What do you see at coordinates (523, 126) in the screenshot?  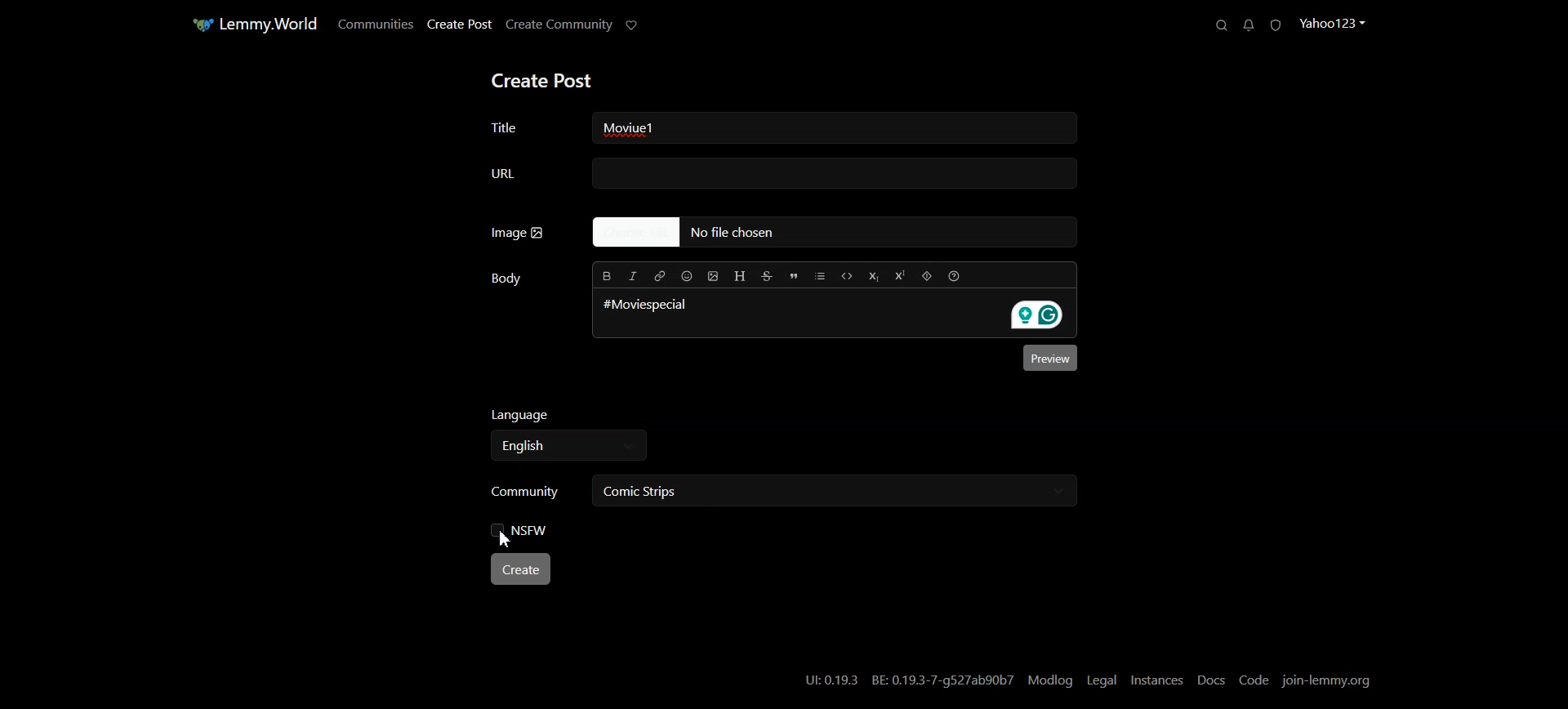 I see `Title` at bounding box center [523, 126].